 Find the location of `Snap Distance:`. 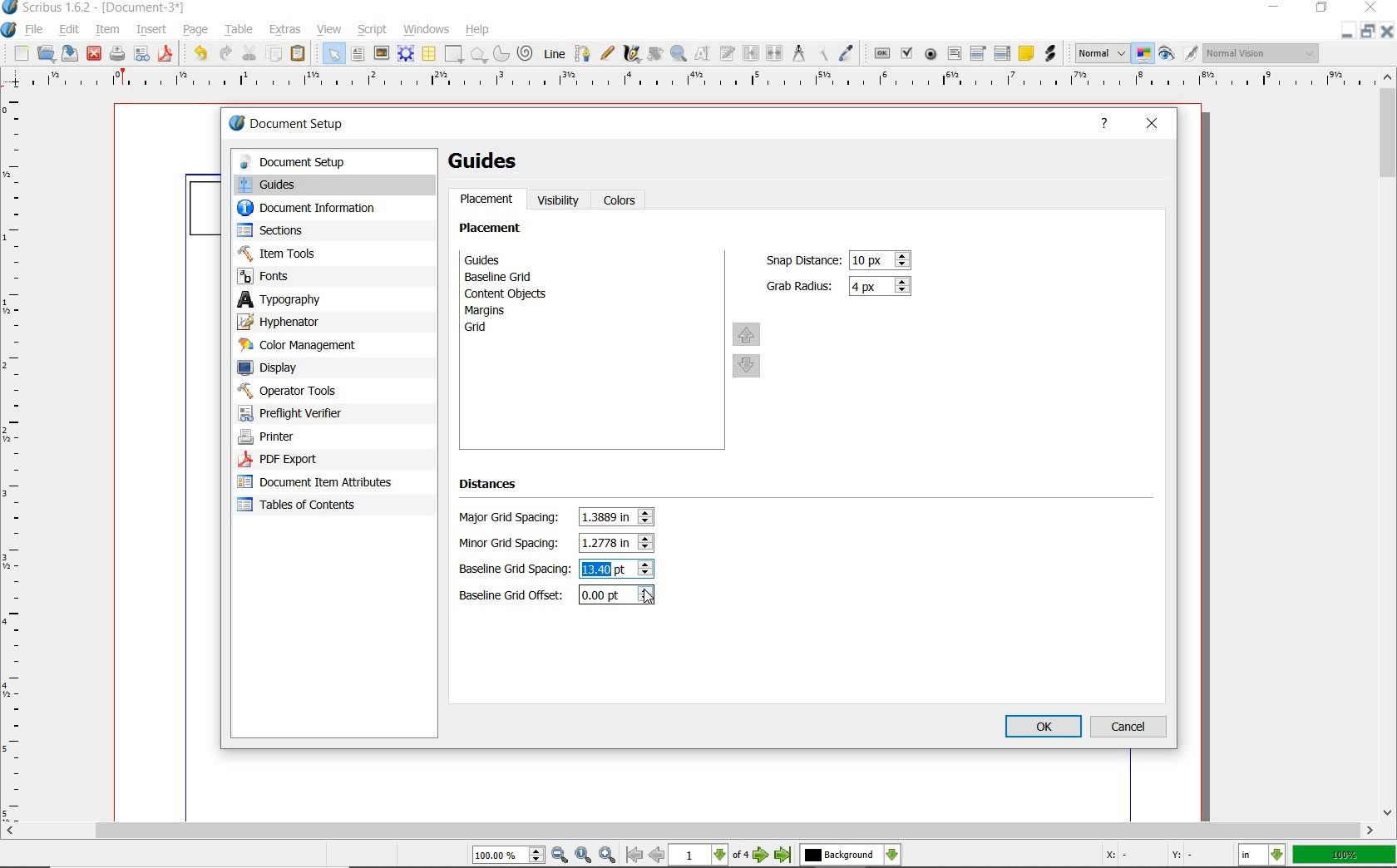

Snap Distance: is located at coordinates (801, 260).